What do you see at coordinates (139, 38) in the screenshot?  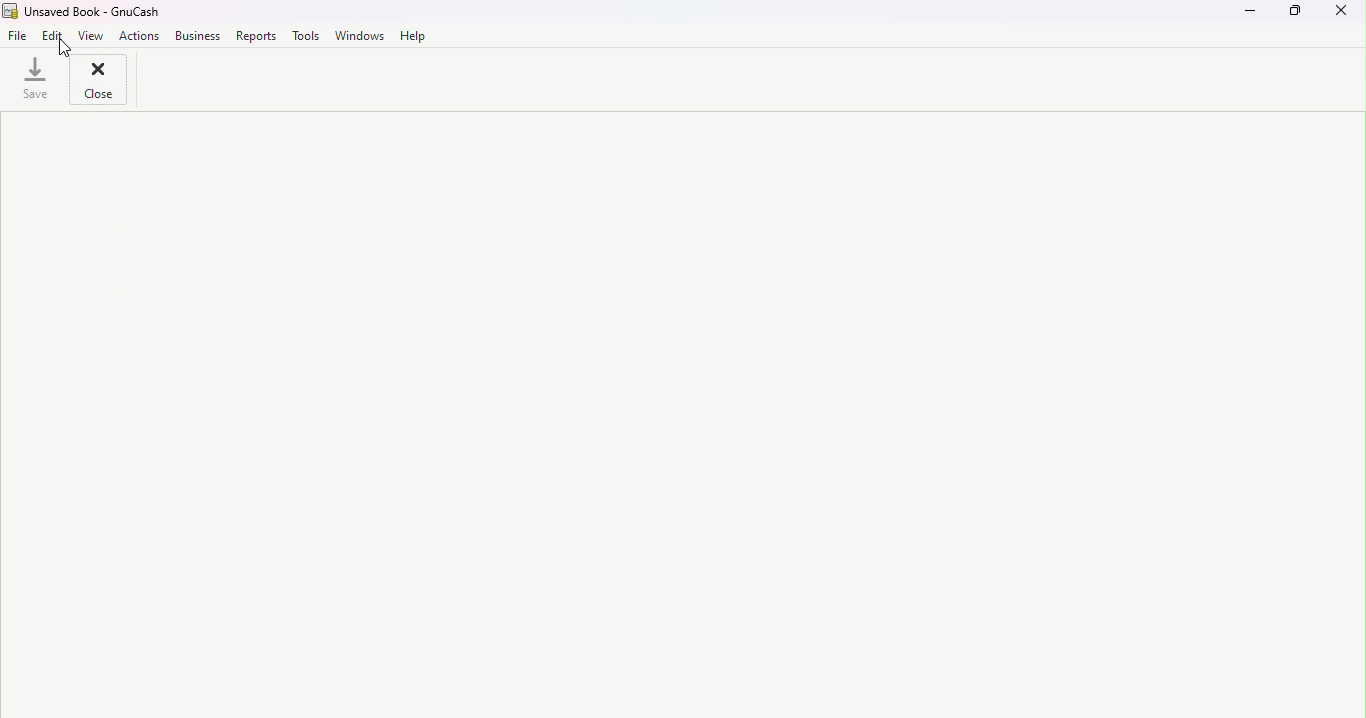 I see `Actions` at bounding box center [139, 38].